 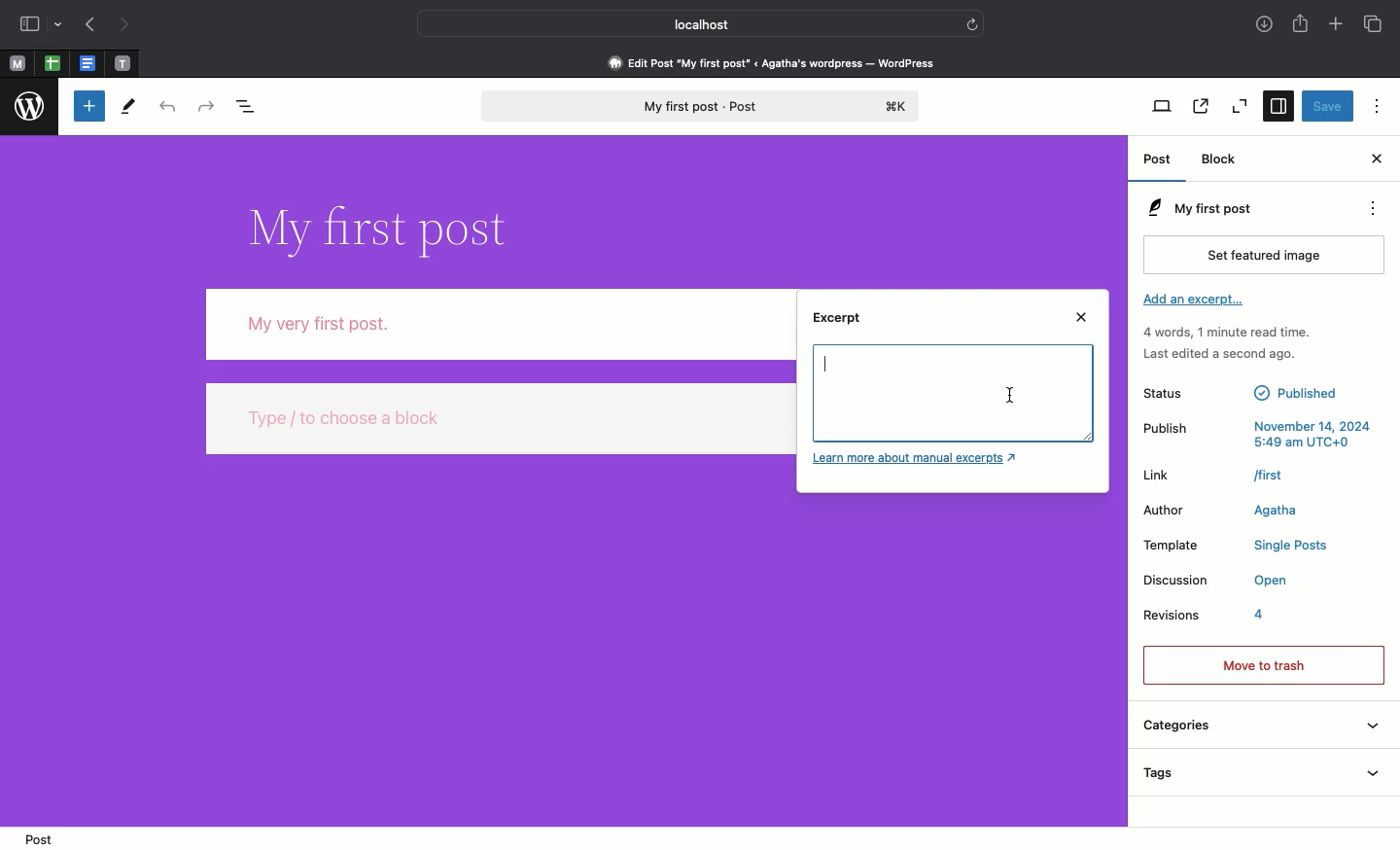 I want to click on Sidebar, so click(x=42, y=25).